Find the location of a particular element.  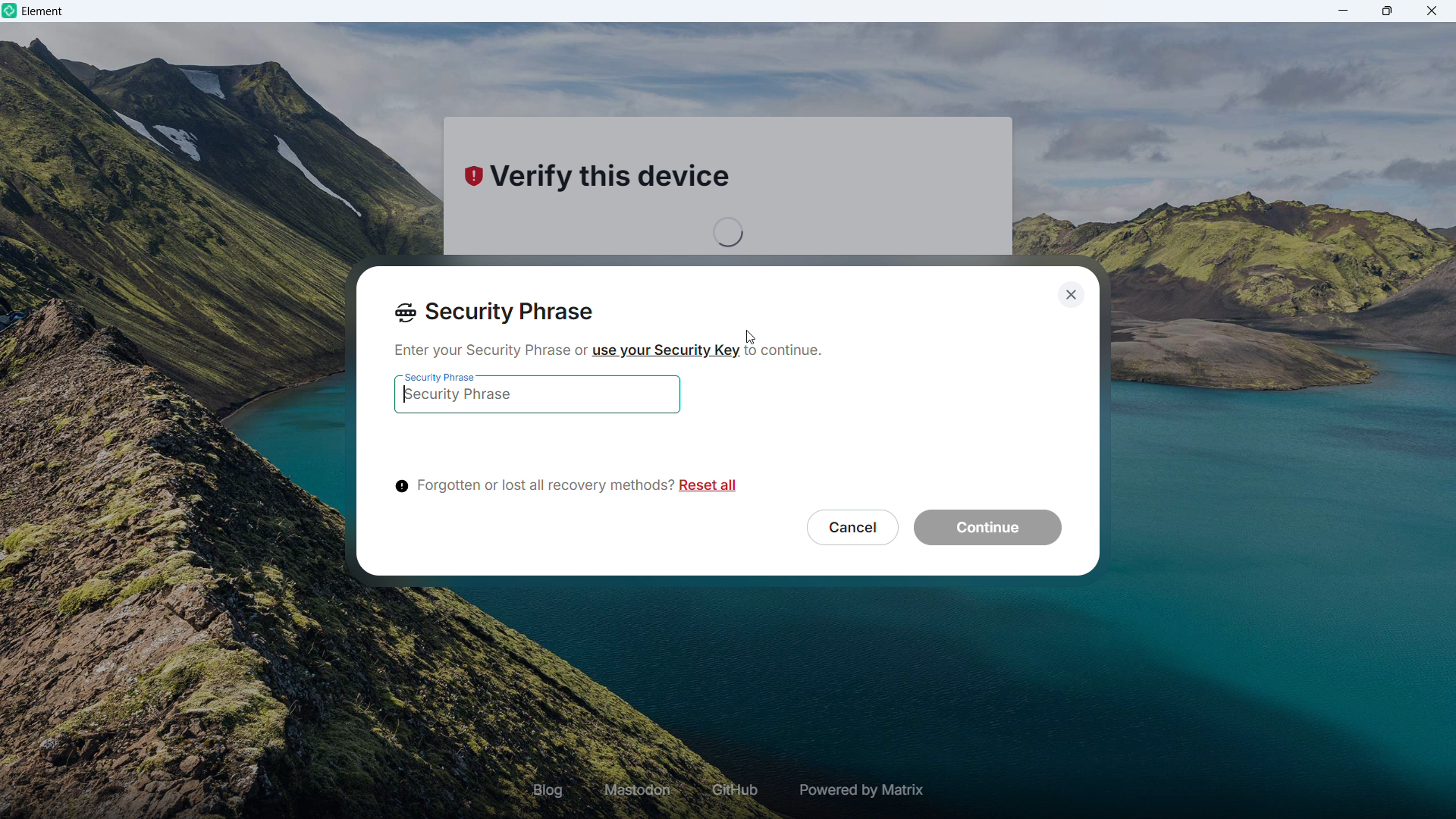

Mastodon  is located at coordinates (639, 790).